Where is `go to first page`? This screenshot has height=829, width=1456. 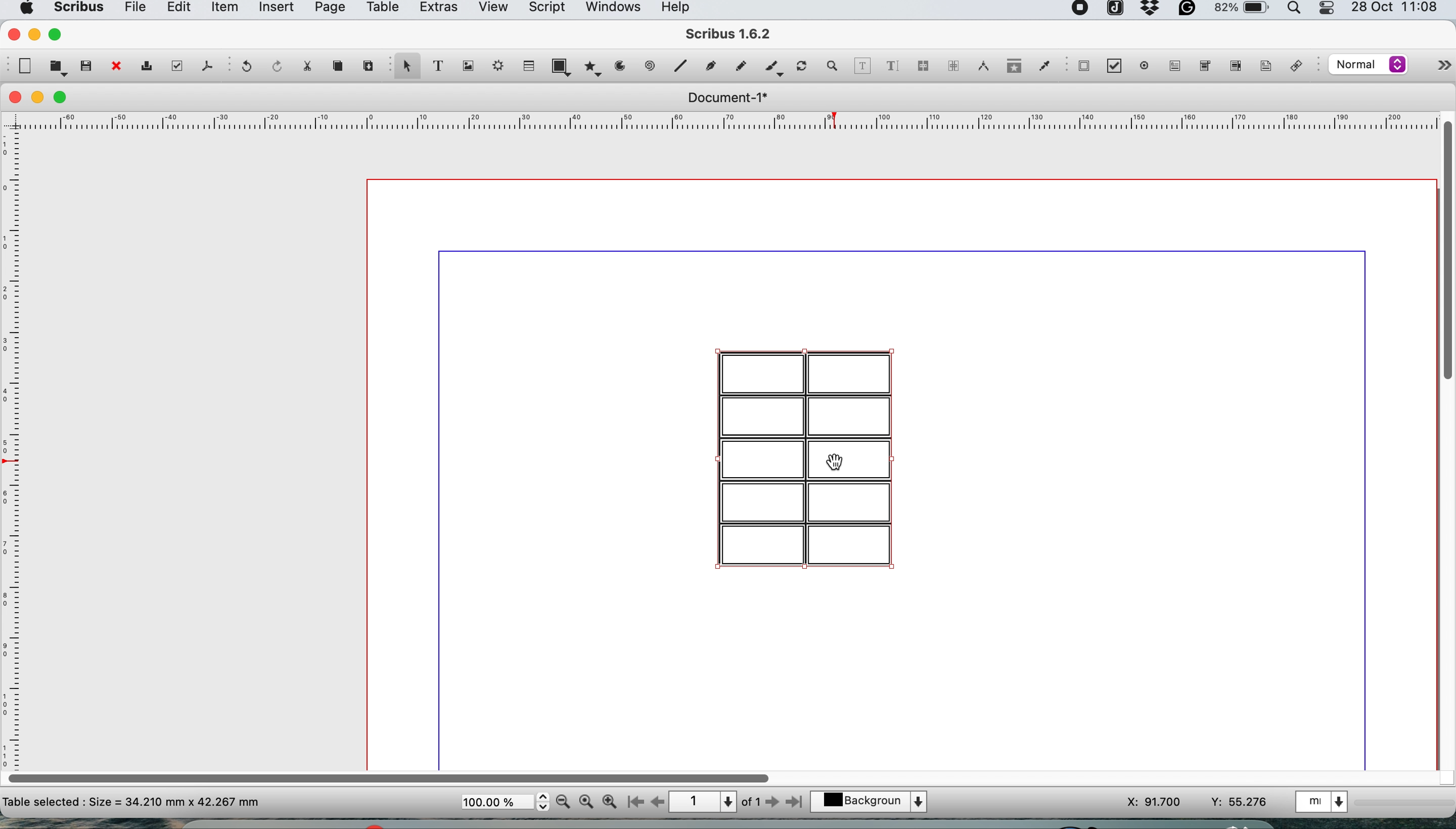
go to first page is located at coordinates (634, 803).